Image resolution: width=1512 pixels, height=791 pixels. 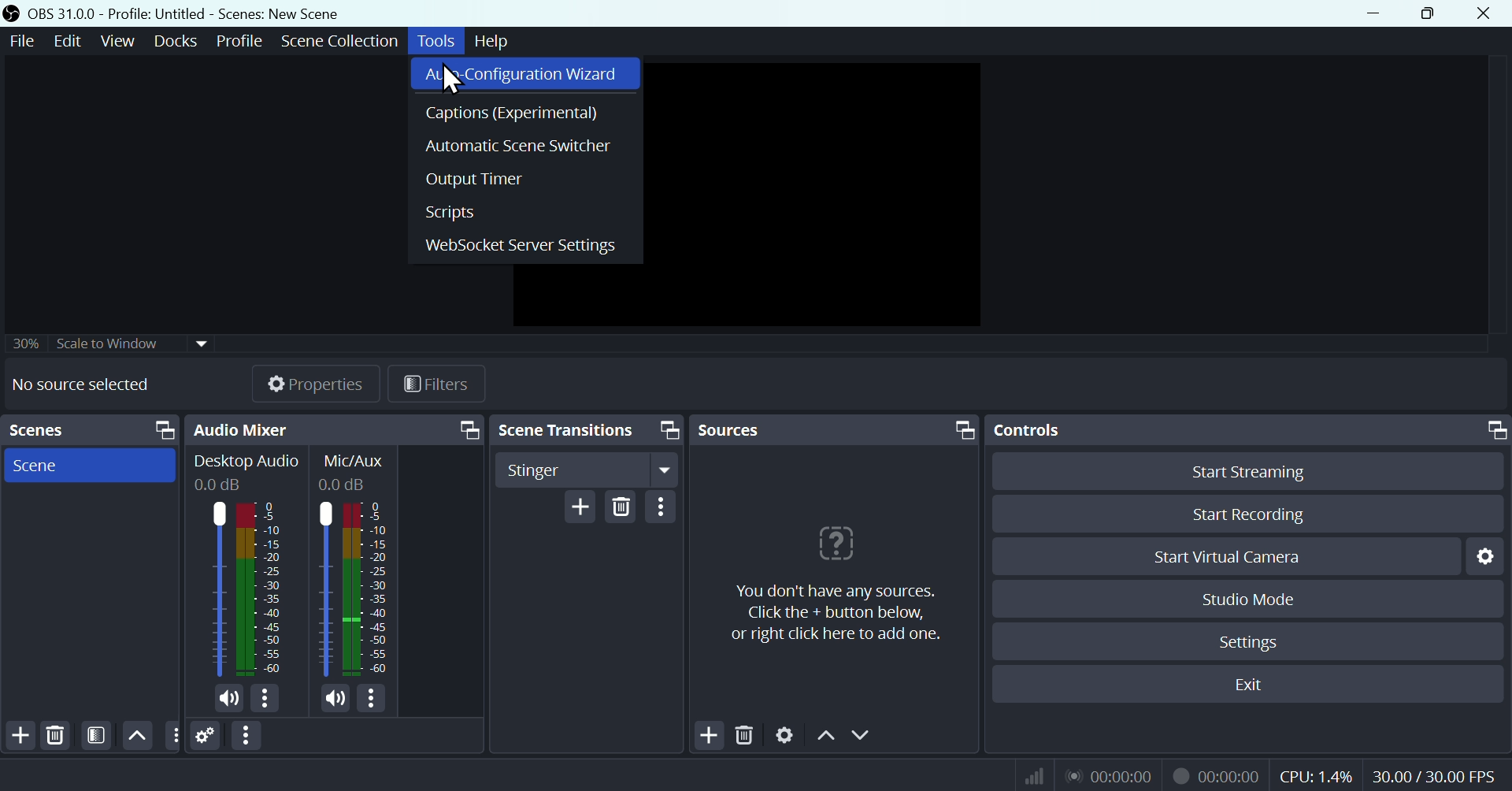 I want to click on close, so click(x=1487, y=13).